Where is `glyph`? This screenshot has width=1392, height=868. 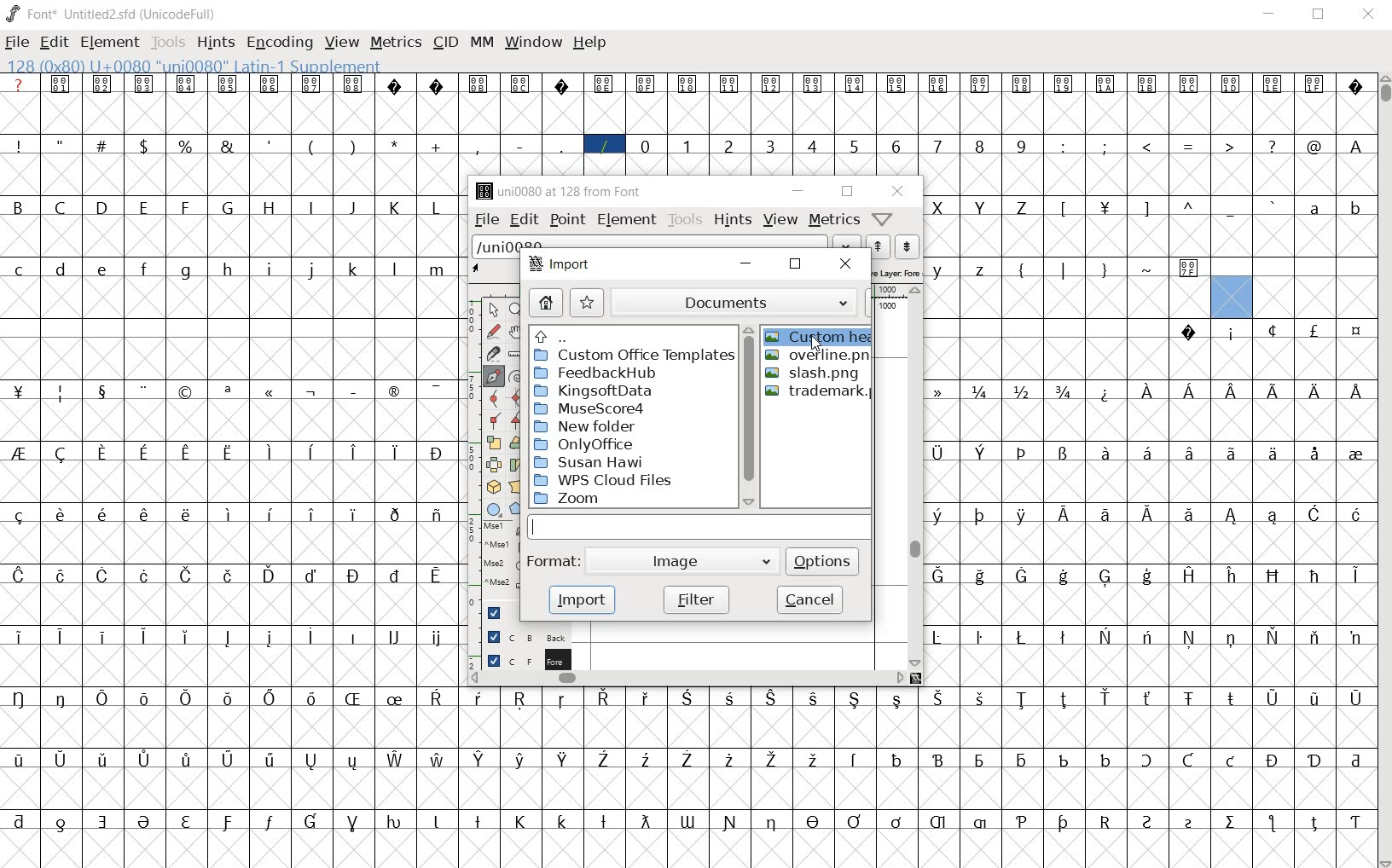 glyph is located at coordinates (436, 697).